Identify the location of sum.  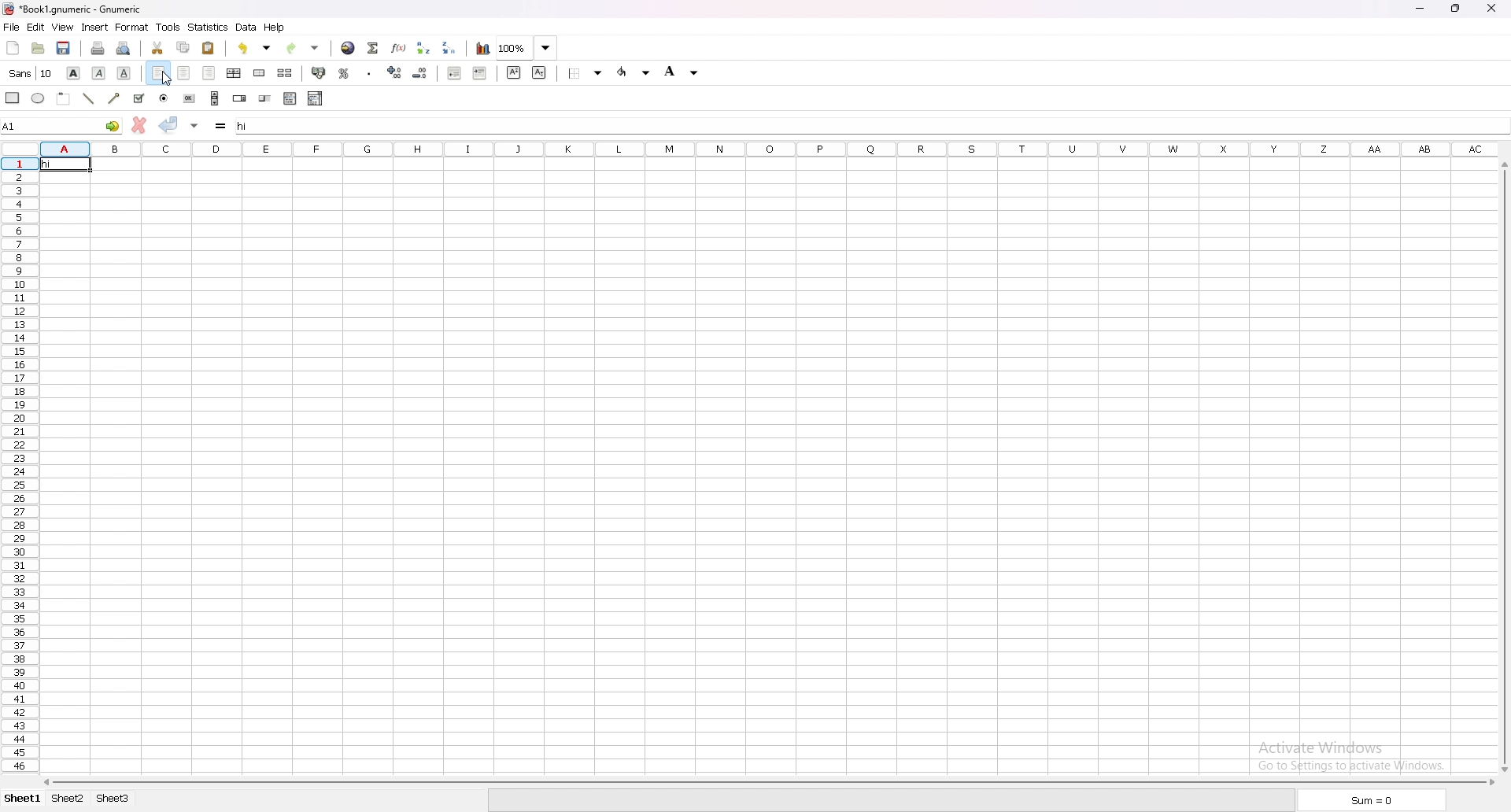
(1369, 800).